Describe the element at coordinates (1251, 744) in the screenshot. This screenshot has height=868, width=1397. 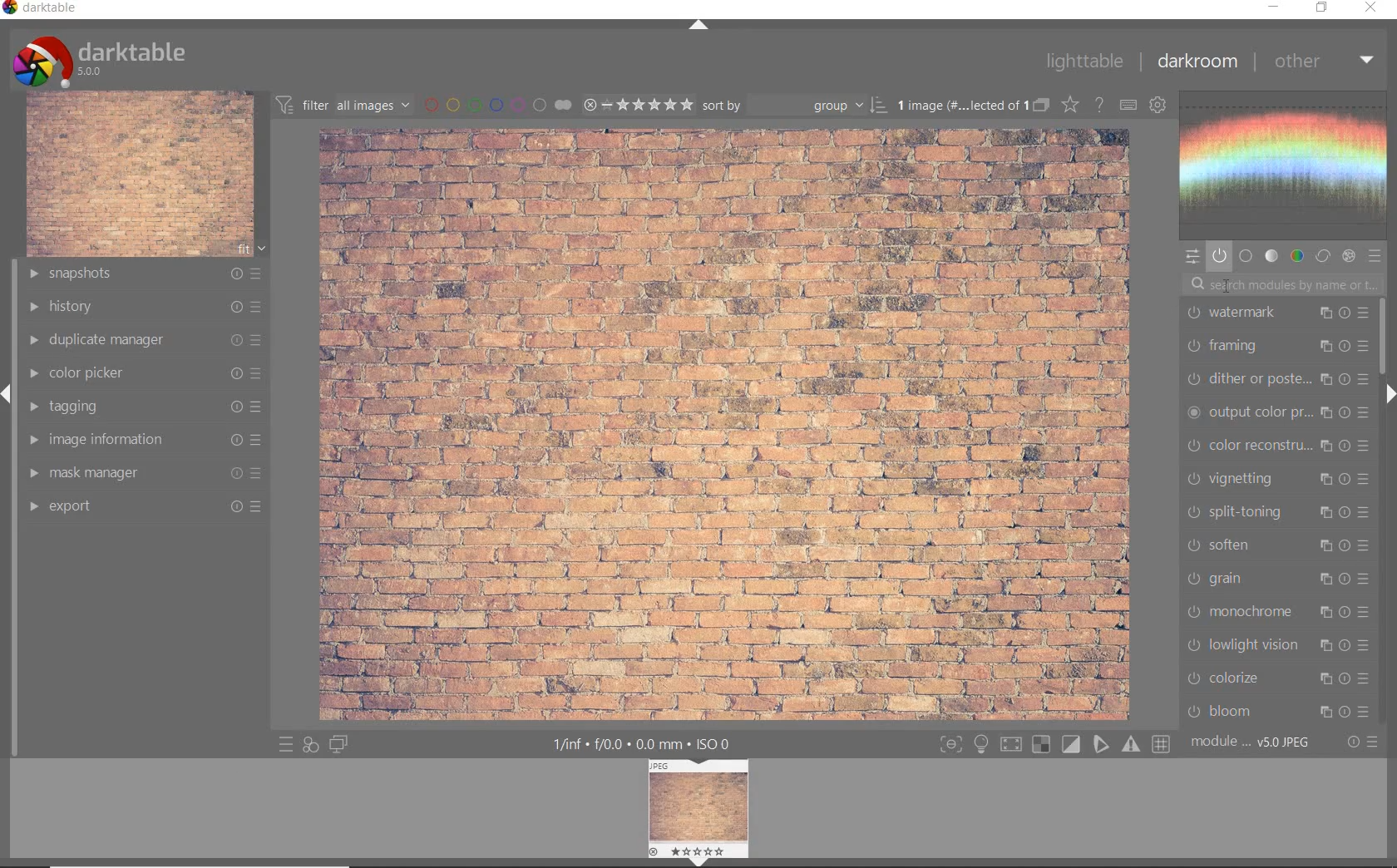
I see `module ...v5.0 JPEG` at that location.